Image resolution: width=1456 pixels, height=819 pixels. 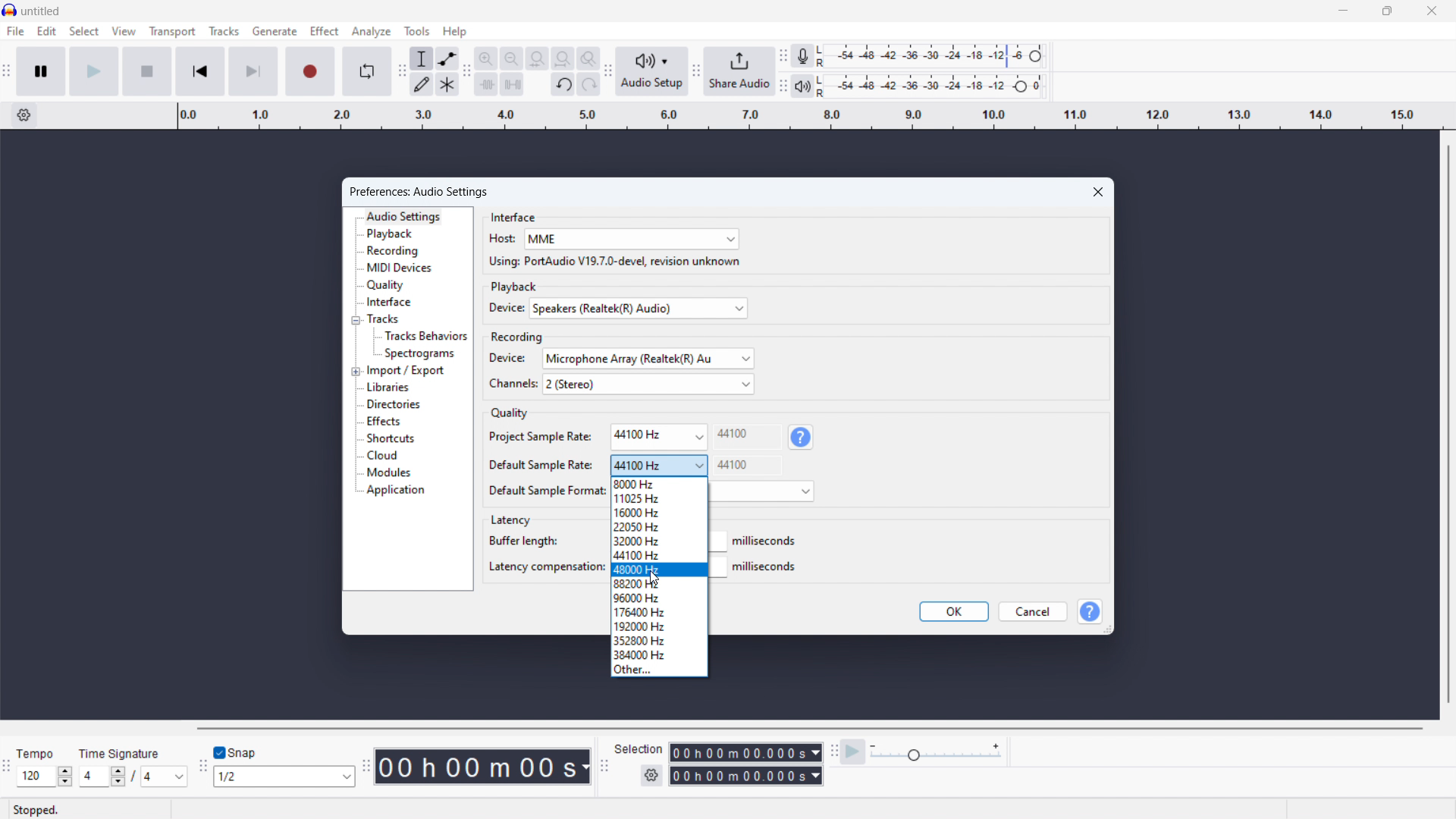 I want to click on tracks, so click(x=224, y=31).